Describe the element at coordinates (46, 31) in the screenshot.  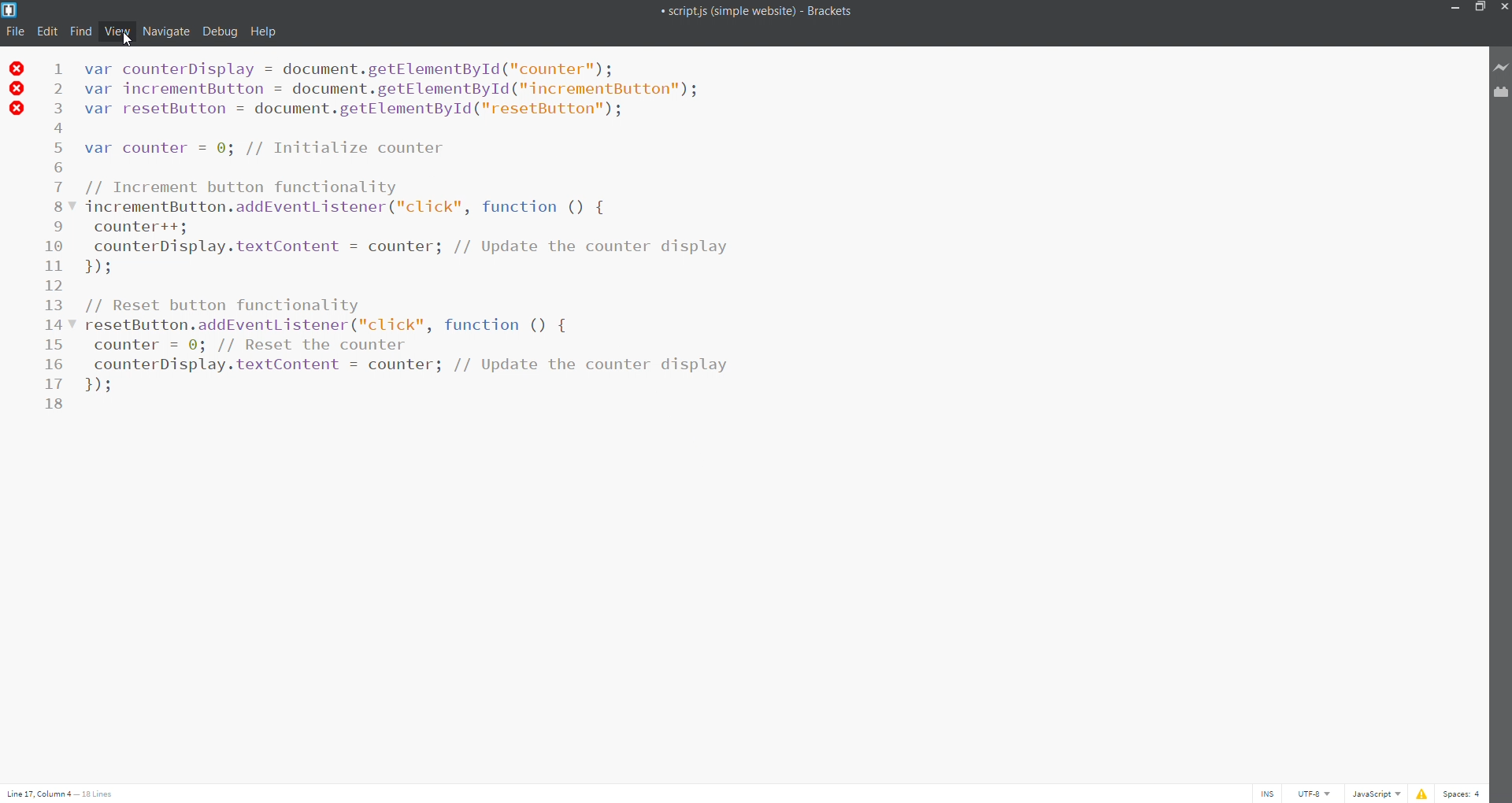
I see `edit` at that location.